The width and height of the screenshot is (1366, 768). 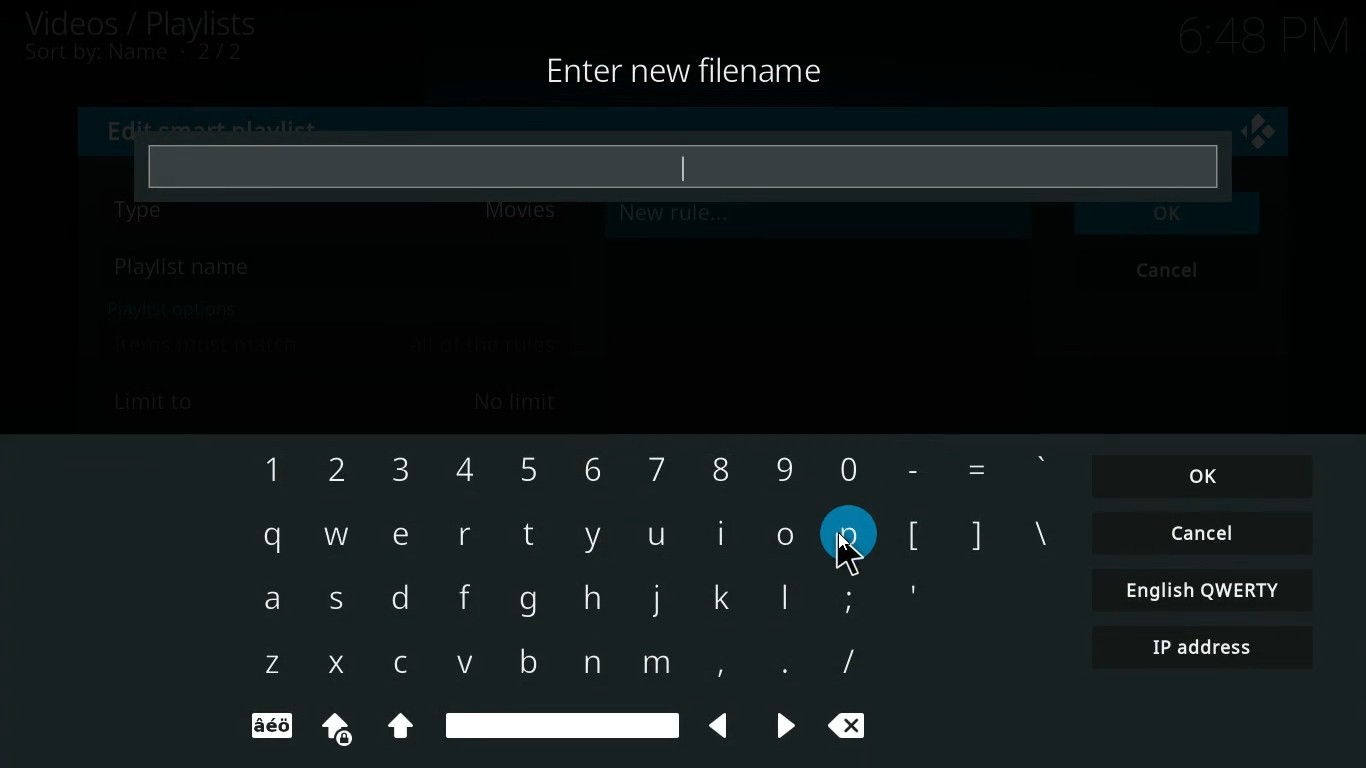 What do you see at coordinates (657, 599) in the screenshot?
I see `j` at bounding box center [657, 599].